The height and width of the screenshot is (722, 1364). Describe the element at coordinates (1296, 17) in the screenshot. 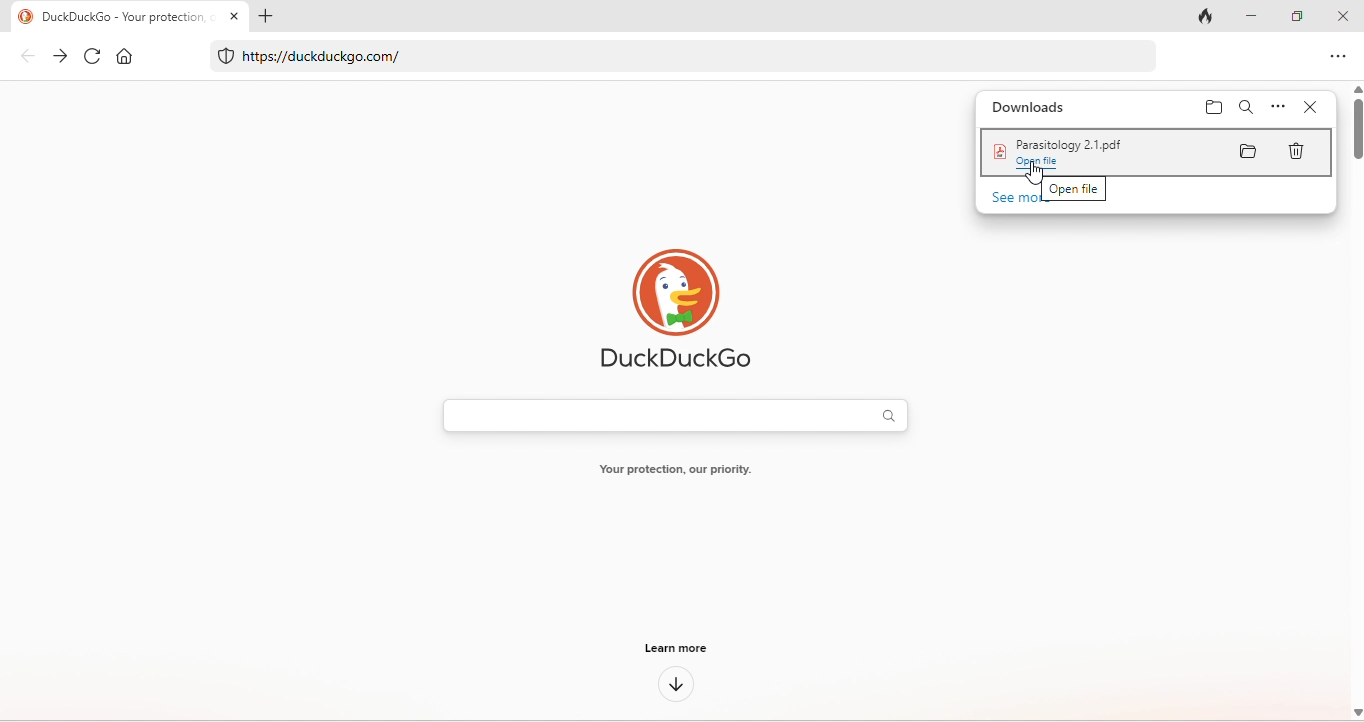

I see `maximize` at that location.